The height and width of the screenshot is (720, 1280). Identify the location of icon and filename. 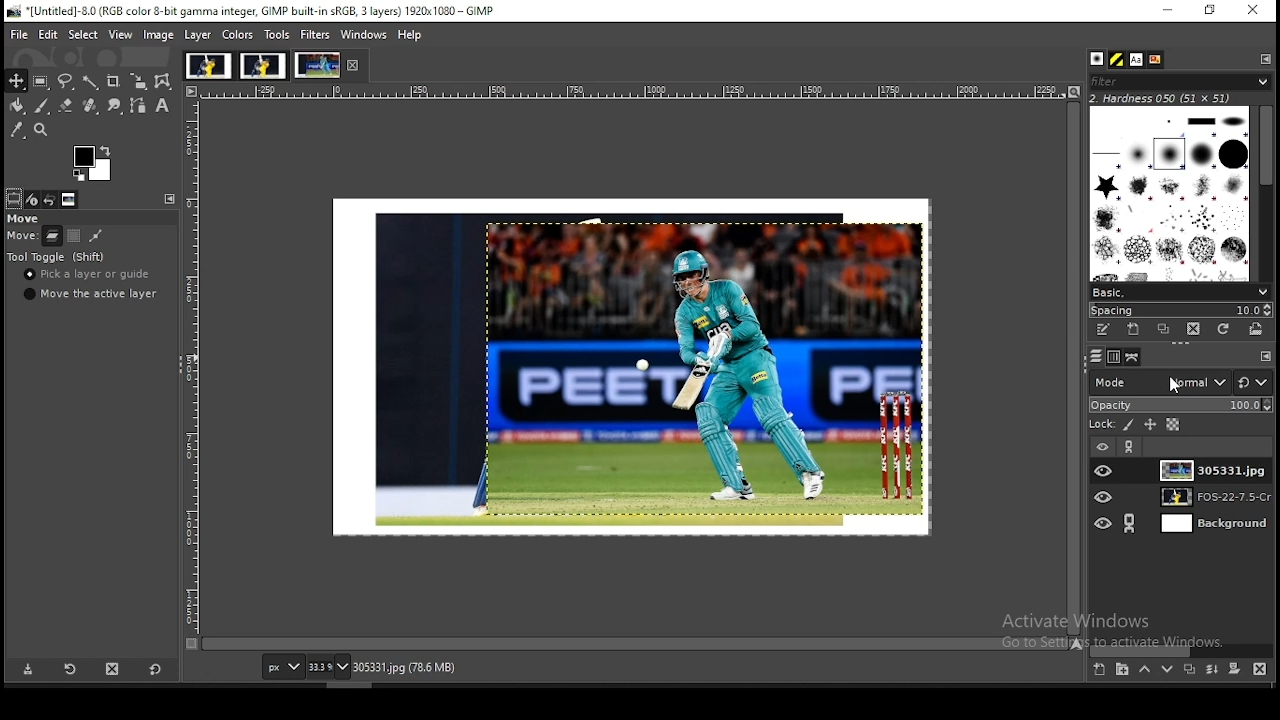
(254, 10).